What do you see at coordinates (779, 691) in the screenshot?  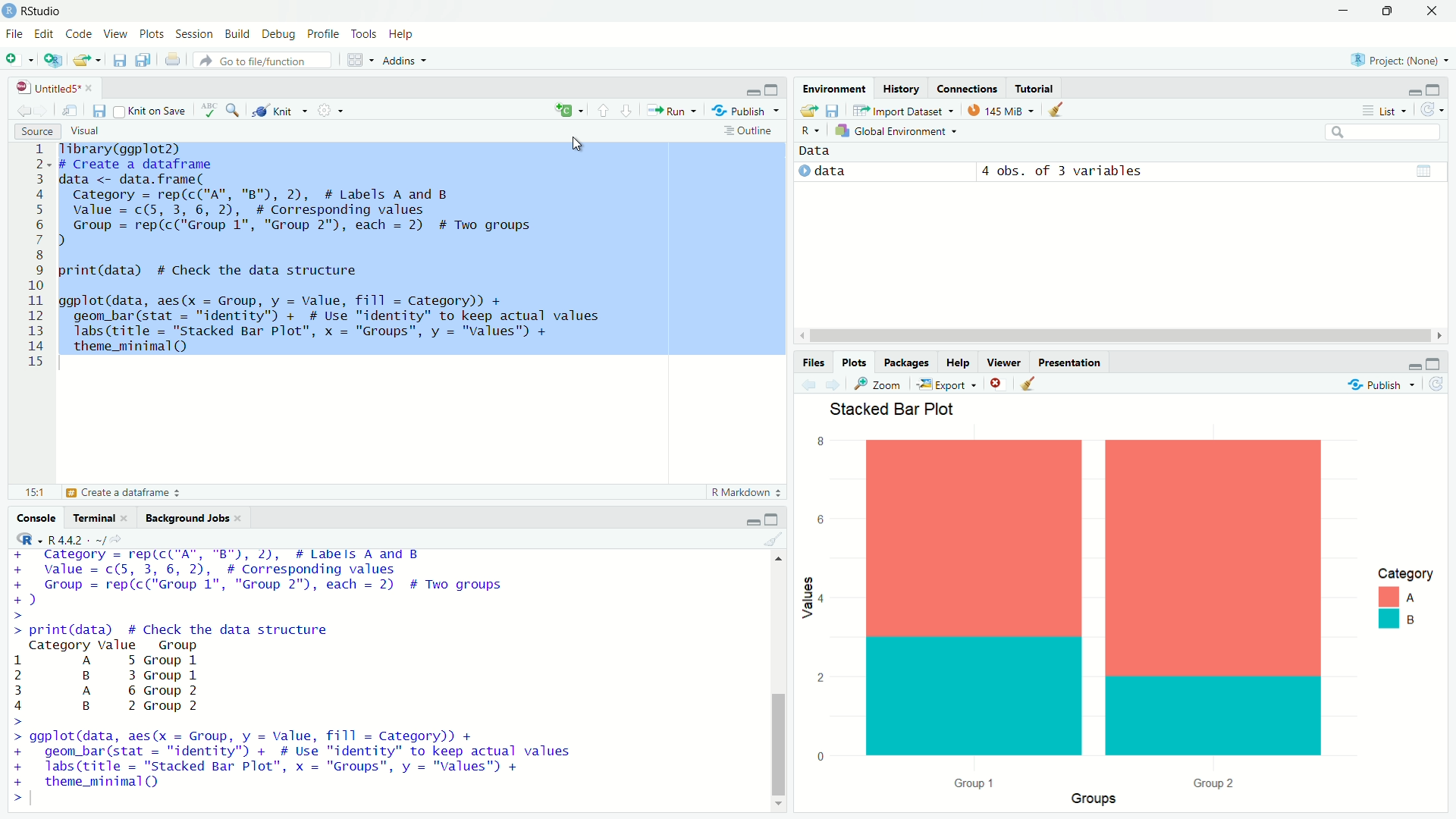 I see `Scrollbar` at bounding box center [779, 691].